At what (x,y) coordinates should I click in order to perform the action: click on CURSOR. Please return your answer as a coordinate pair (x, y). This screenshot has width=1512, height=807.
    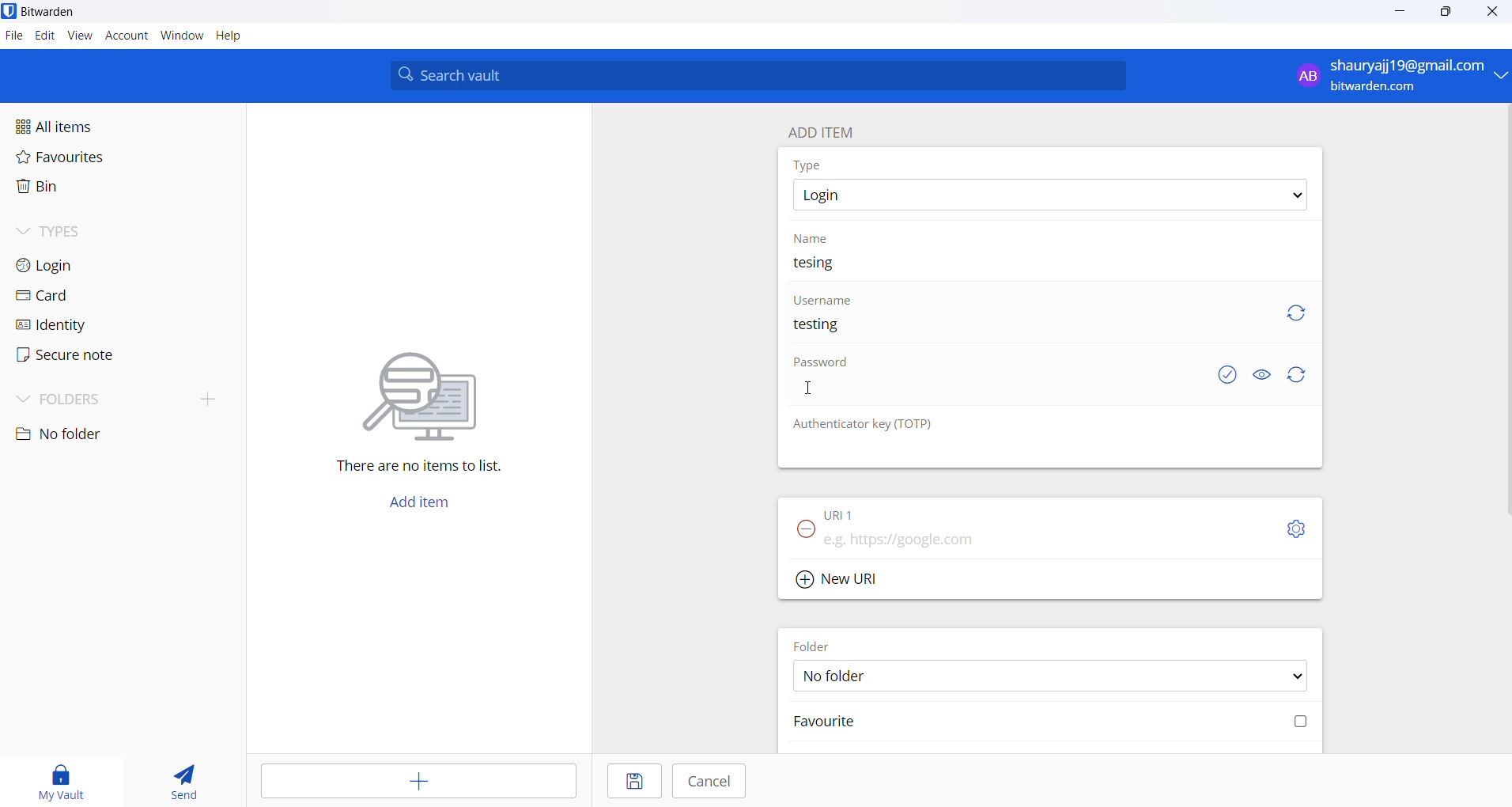
    Looking at the image, I should click on (811, 388).